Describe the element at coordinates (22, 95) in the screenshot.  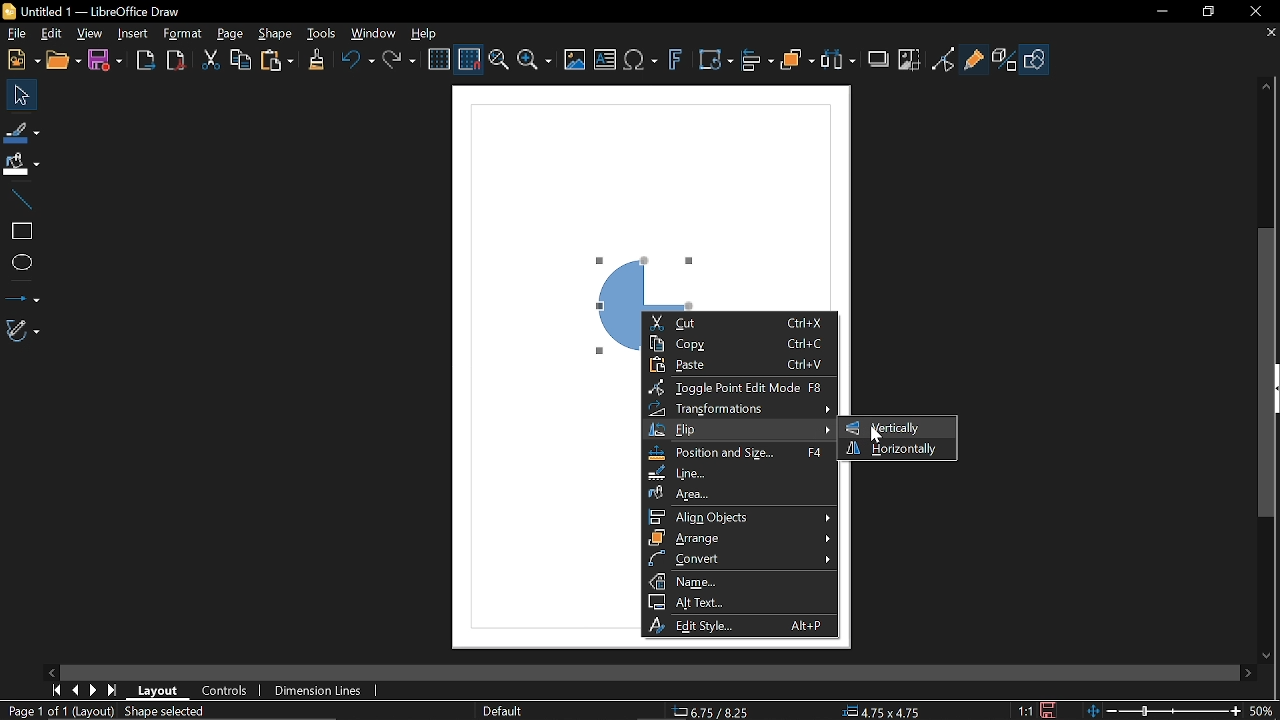
I see `Select` at that location.